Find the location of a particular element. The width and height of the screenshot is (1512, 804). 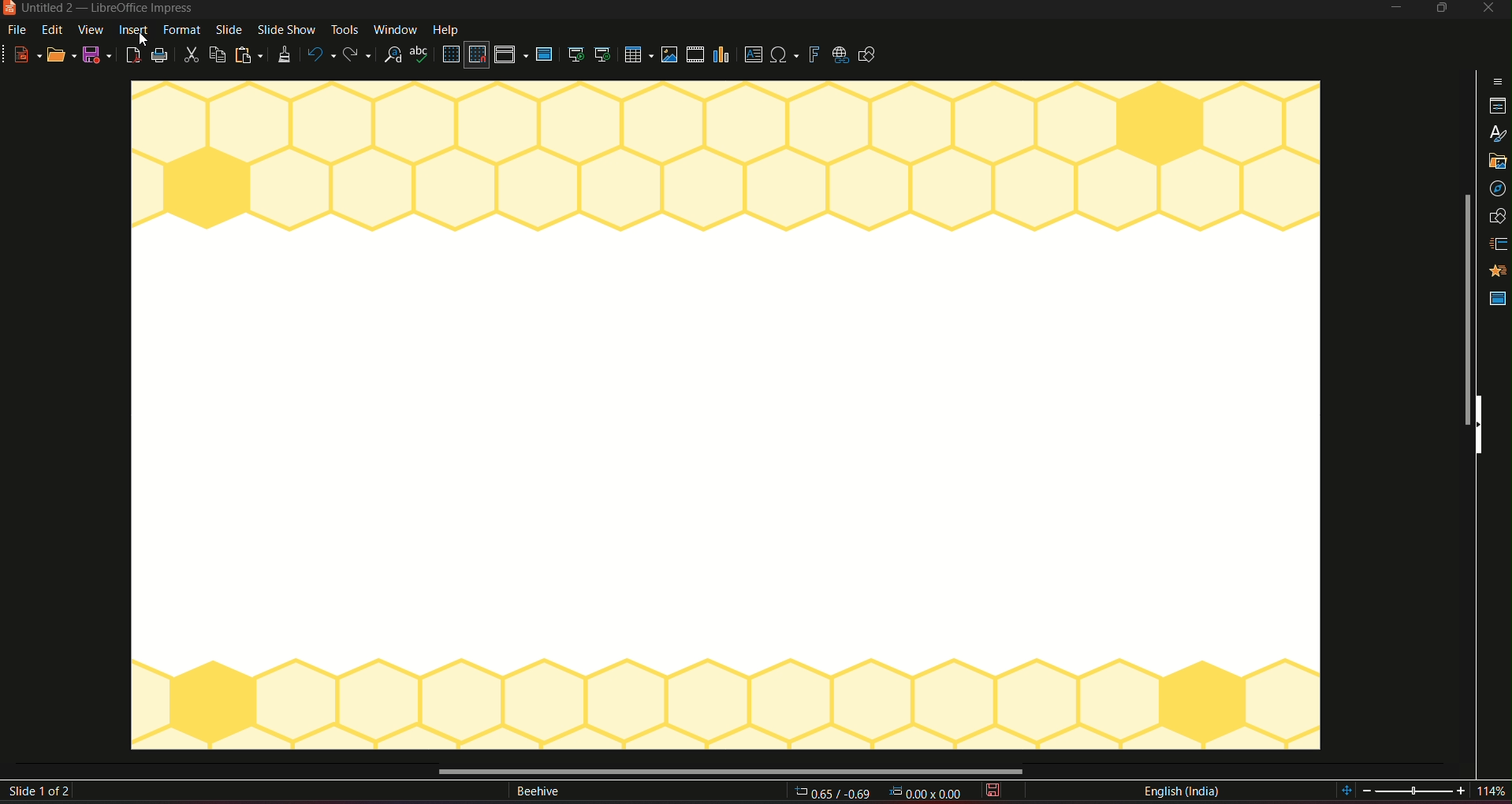

display grid is located at coordinates (450, 54).